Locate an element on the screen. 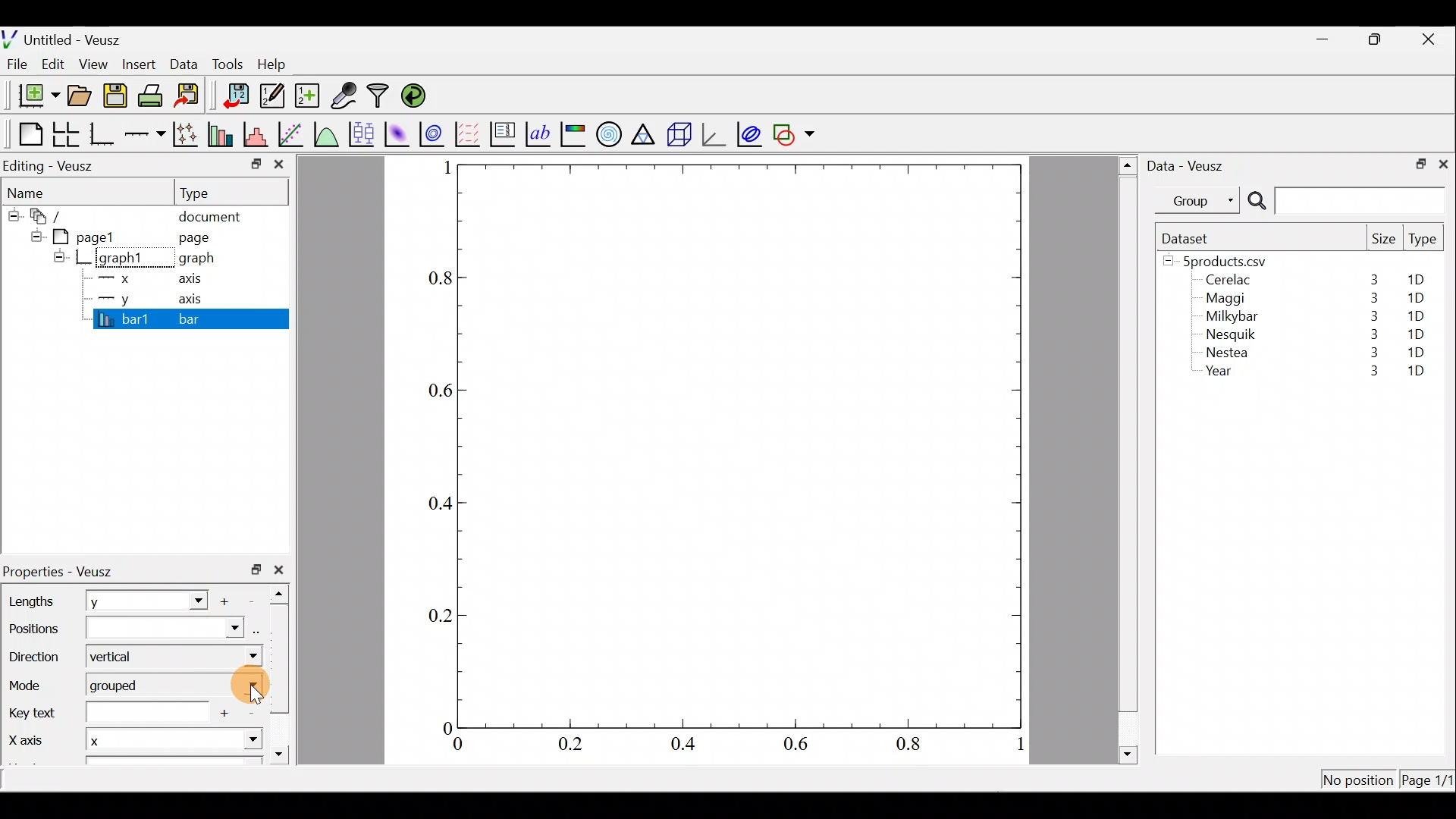 This screenshot has height=819, width=1456. Editing - Veusz is located at coordinates (52, 165).